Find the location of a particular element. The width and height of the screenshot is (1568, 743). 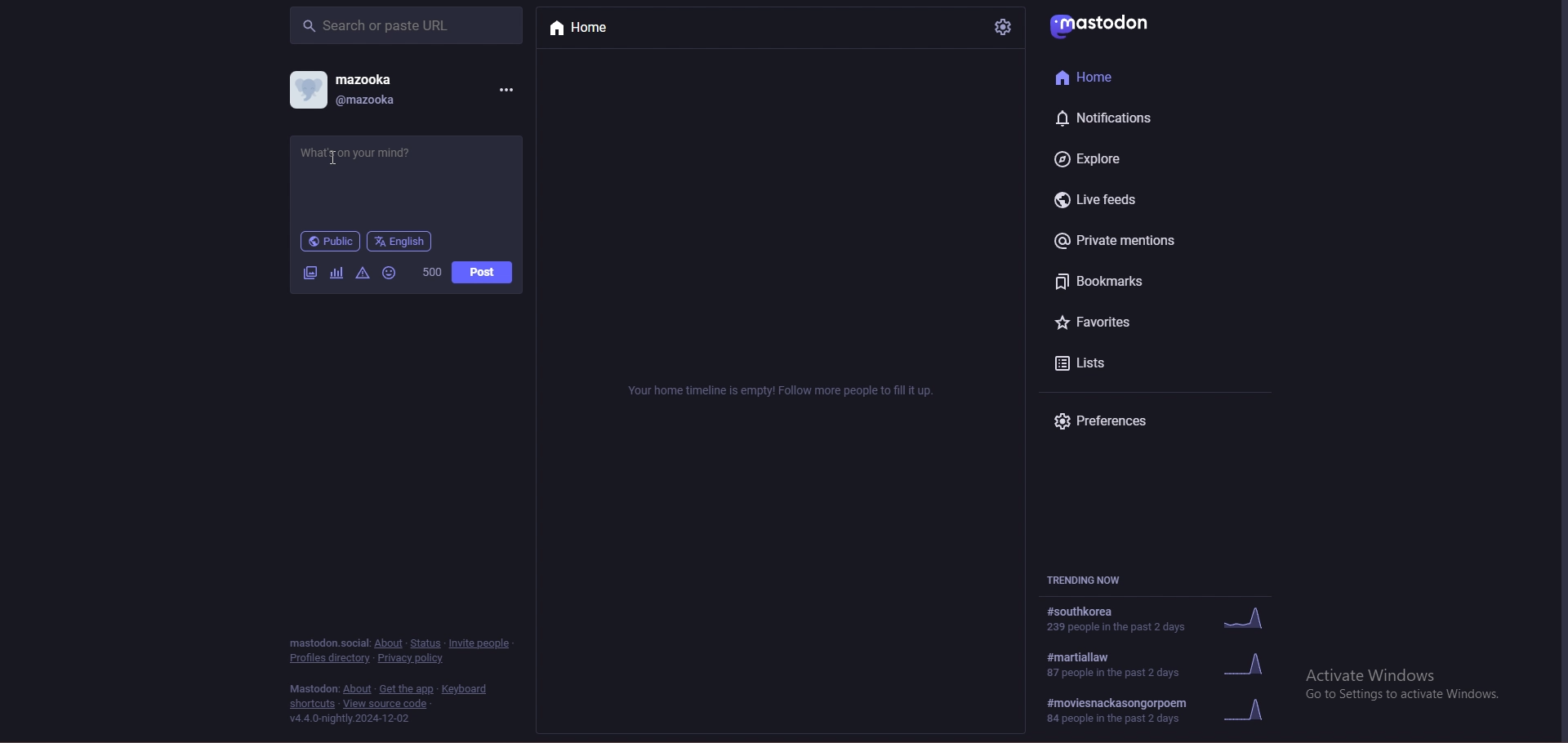

image is located at coordinates (308, 274).